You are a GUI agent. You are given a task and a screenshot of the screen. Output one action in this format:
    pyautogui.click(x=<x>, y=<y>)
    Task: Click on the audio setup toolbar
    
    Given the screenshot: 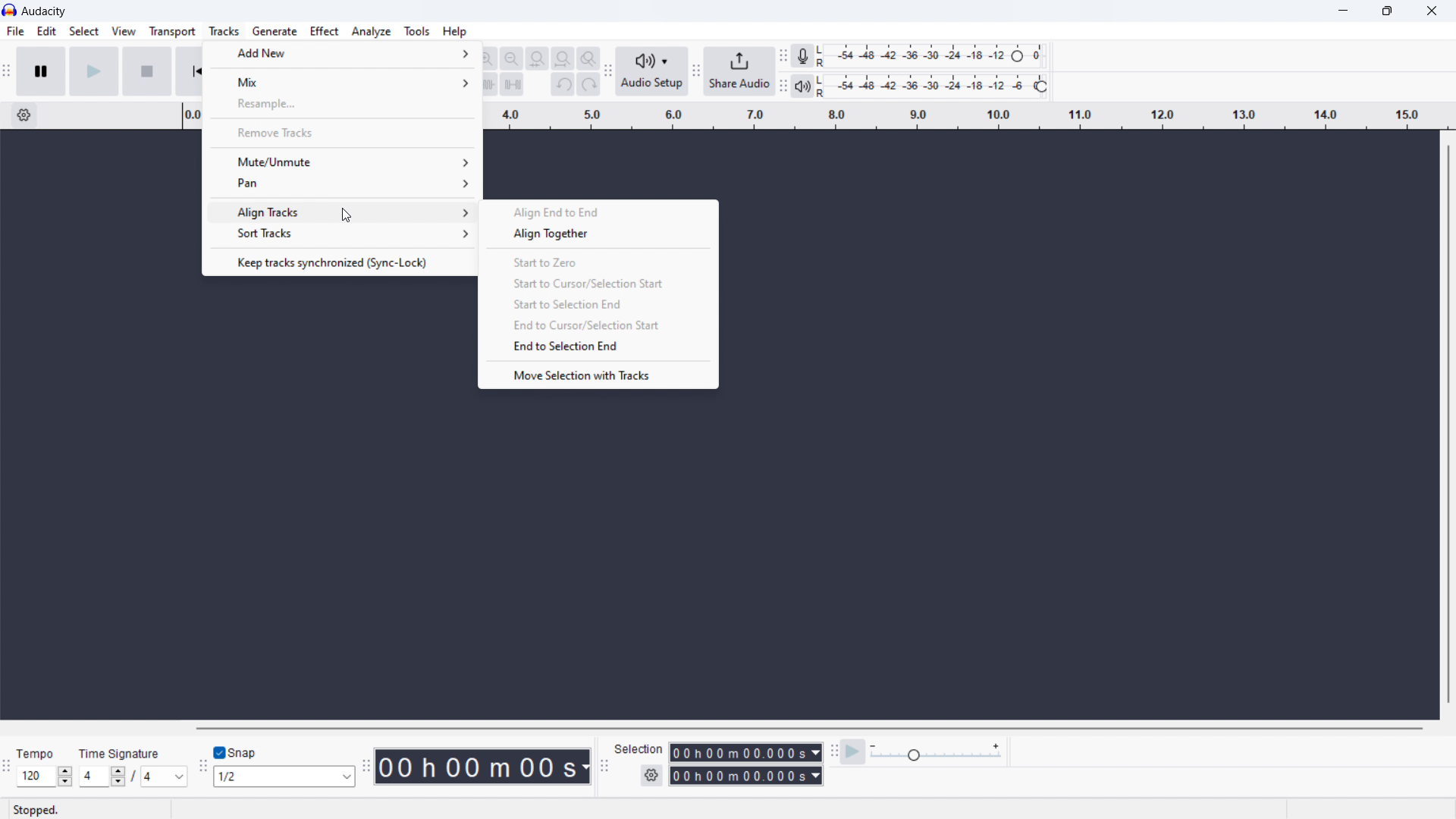 What is the action you would take?
    pyautogui.click(x=607, y=70)
    